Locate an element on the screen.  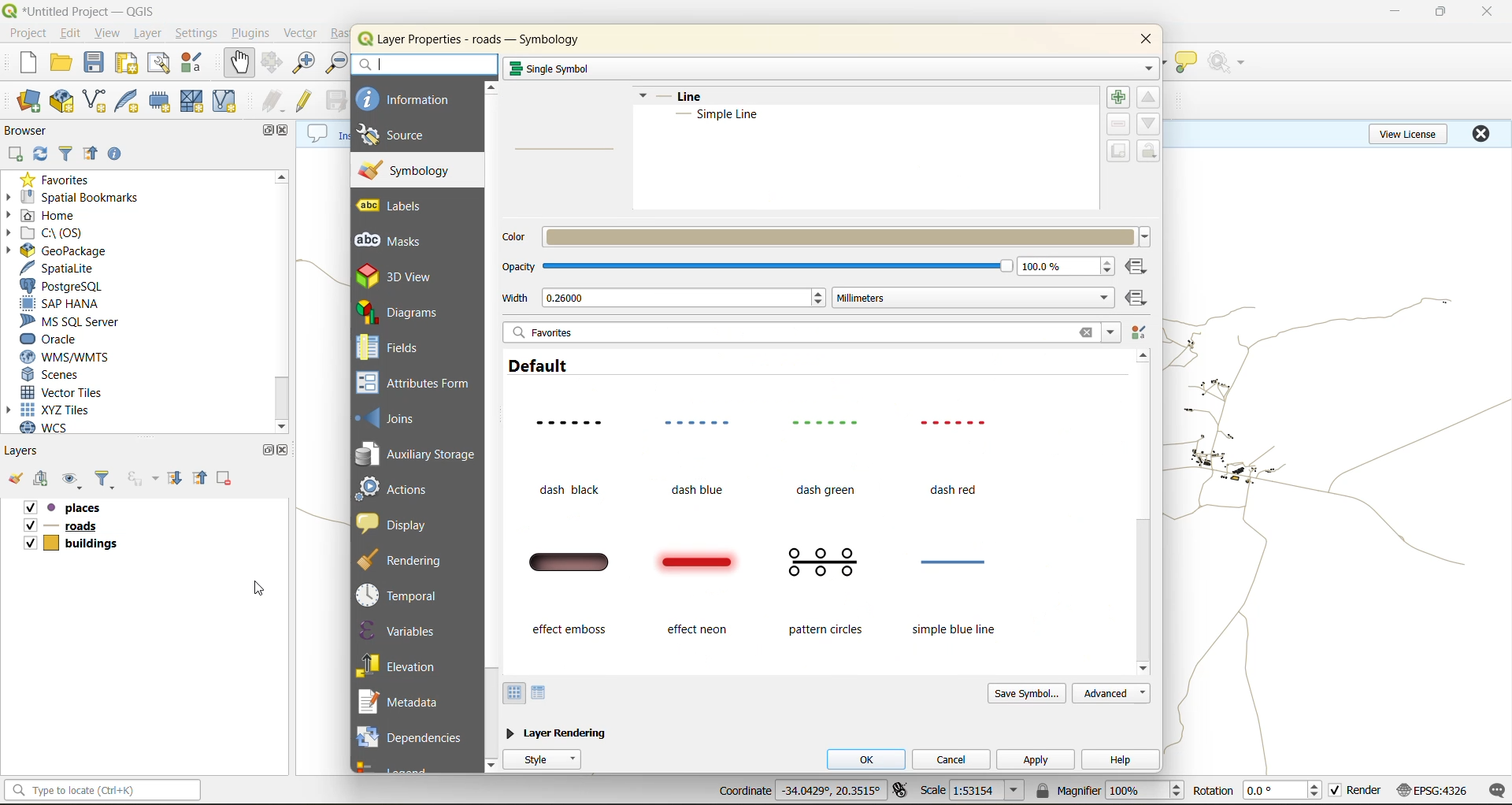
vector is located at coordinates (301, 34).